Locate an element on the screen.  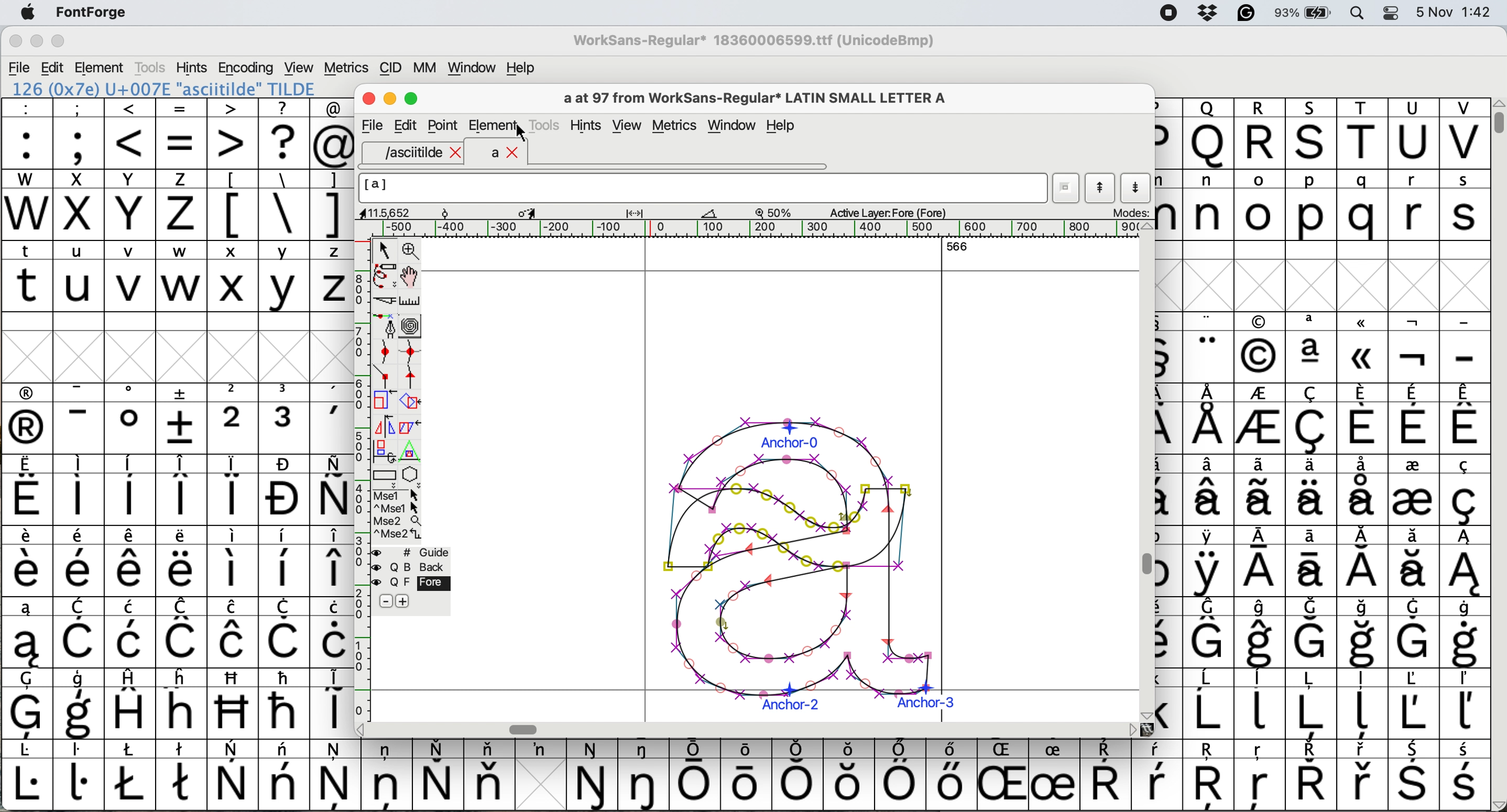
show previous letter is located at coordinates (1100, 188).